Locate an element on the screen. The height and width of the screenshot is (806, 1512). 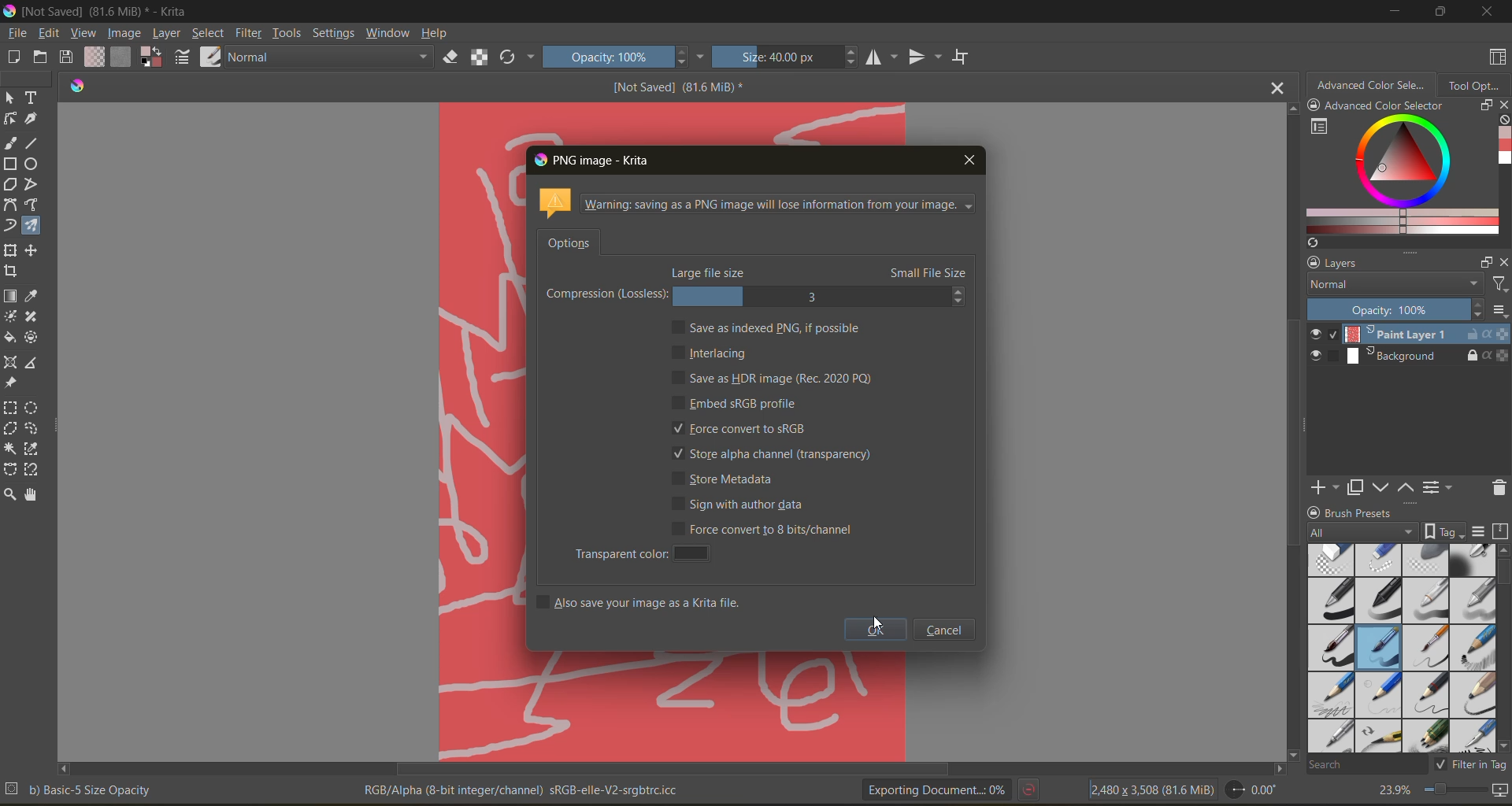
tool is located at coordinates (33, 250).